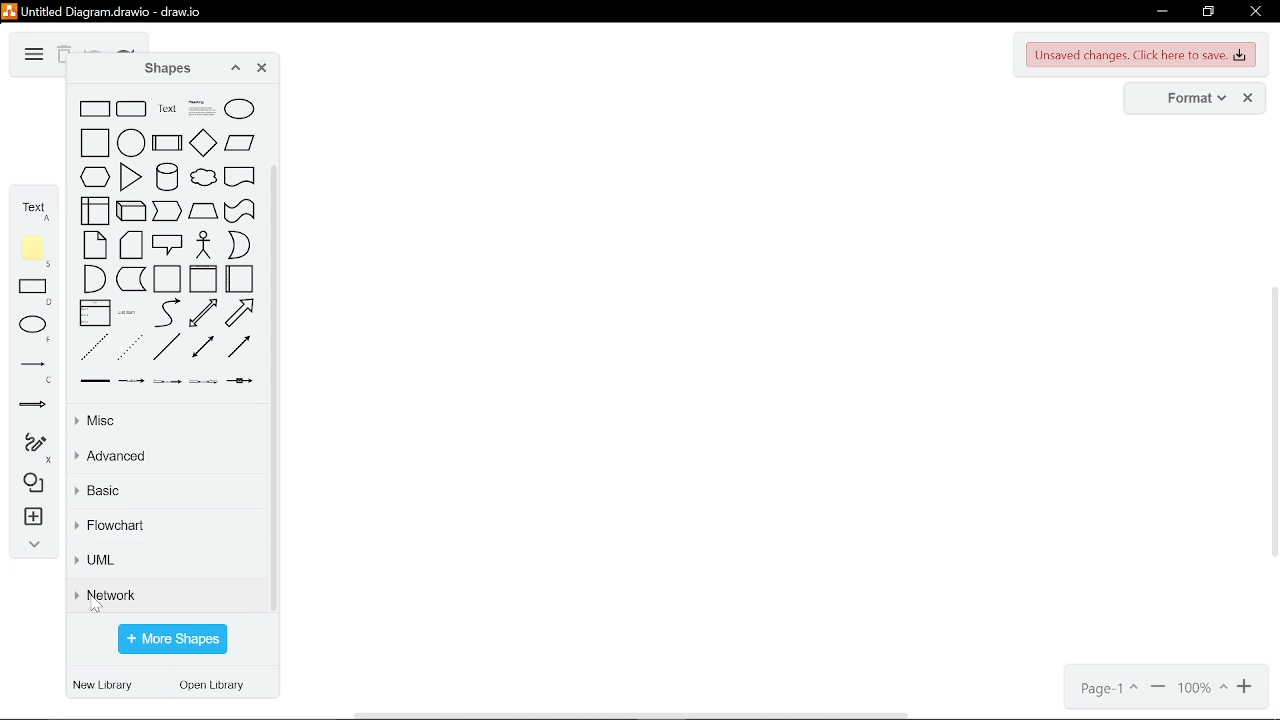 The image size is (1280, 720). What do you see at coordinates (94, 49) in the screenshot?
I see `undo` at bounding box center [94, 49].